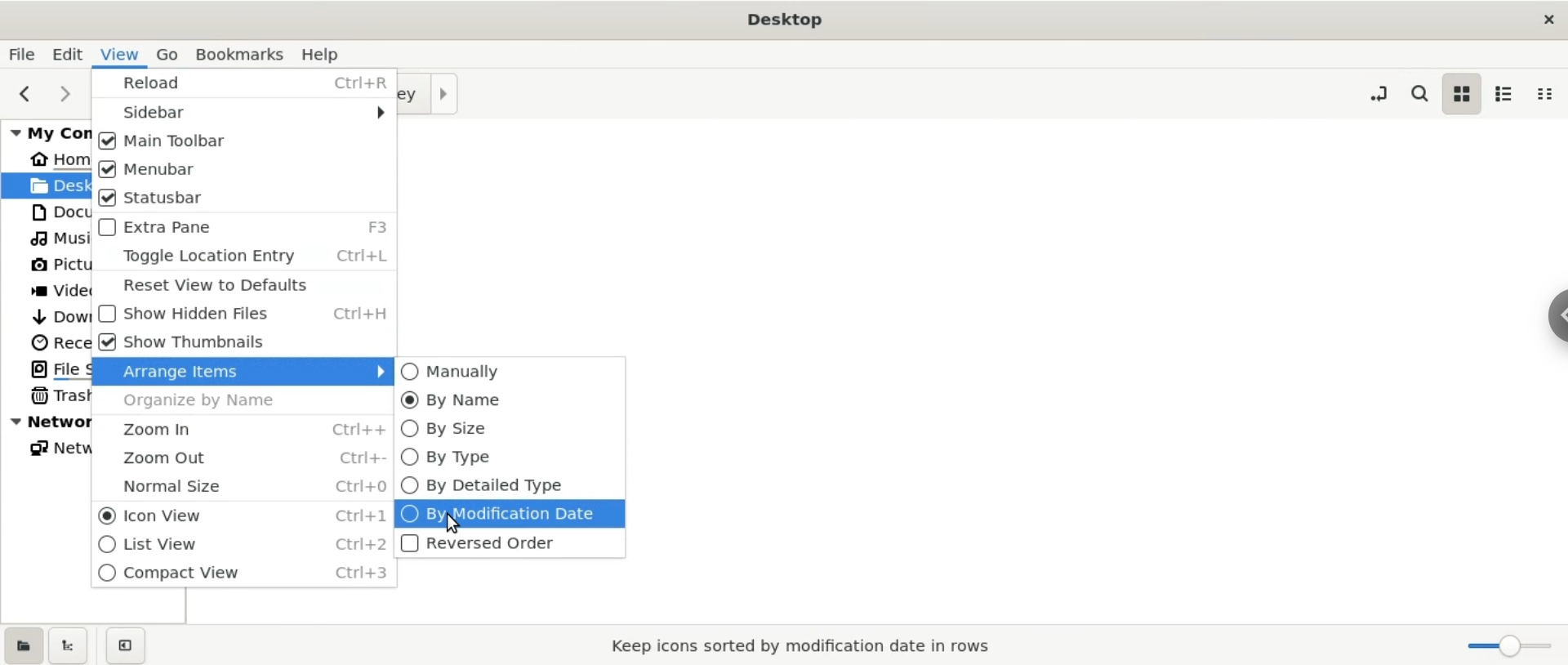 The width and height of the screenshot is (1568, 665). Describe the element at coordinates (25, 91) in the screenshot. I see `previous` at that location.